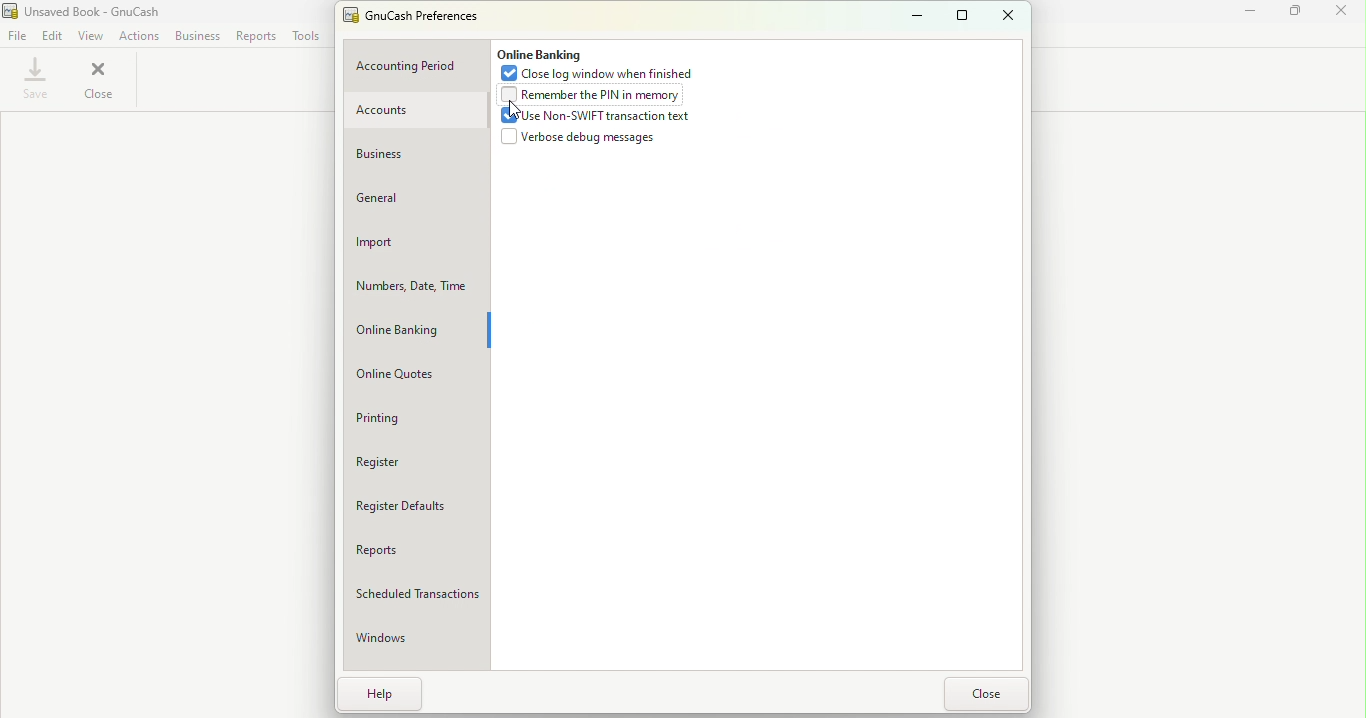 The height and width of the screenshot is (718, 1366). Describe the element at coordinates (35, 82) in the screenshot. I see `Save` at that location.